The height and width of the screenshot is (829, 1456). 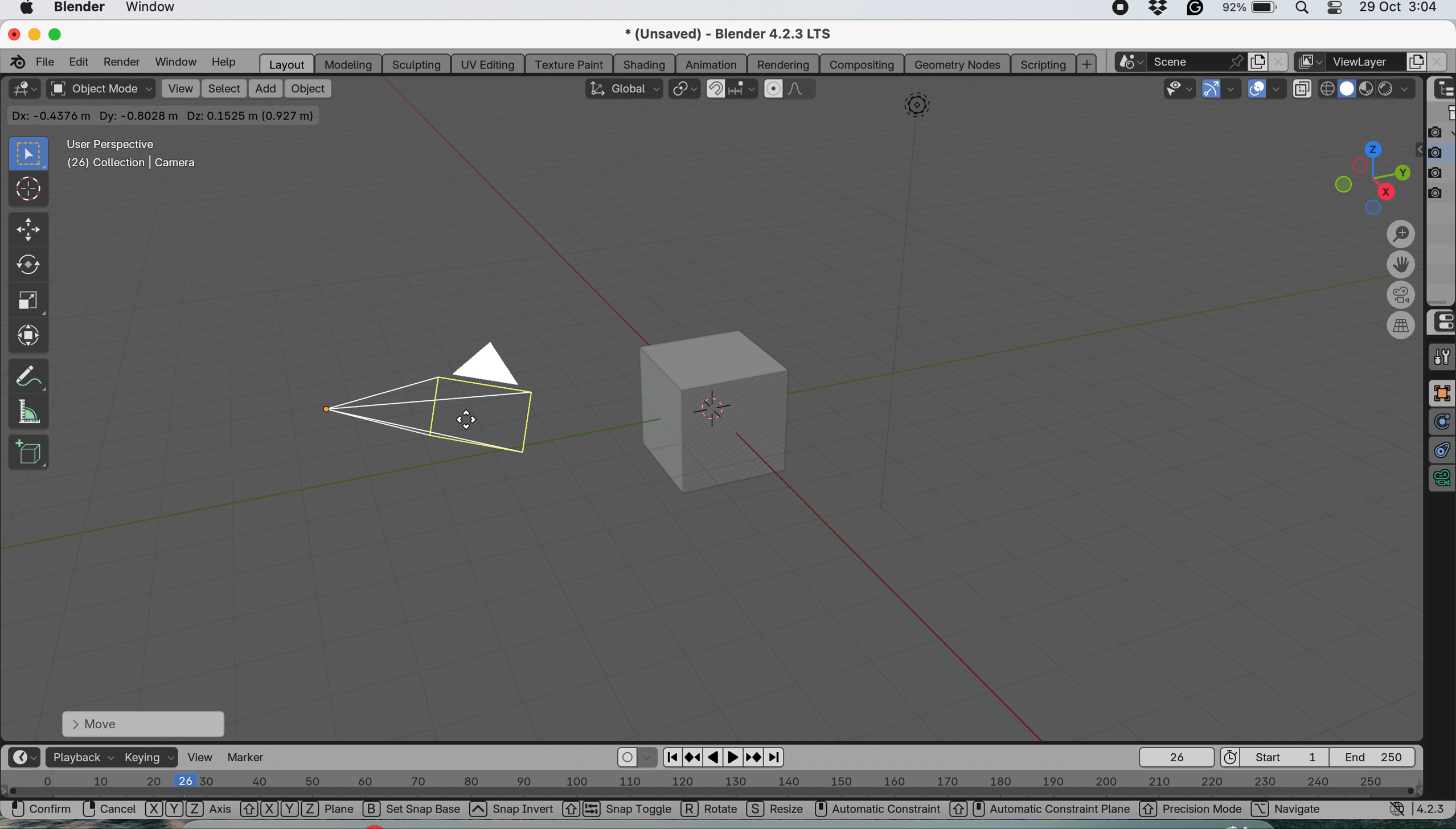 I want to click on scalability and fallout, so click(x=1181, y=88).